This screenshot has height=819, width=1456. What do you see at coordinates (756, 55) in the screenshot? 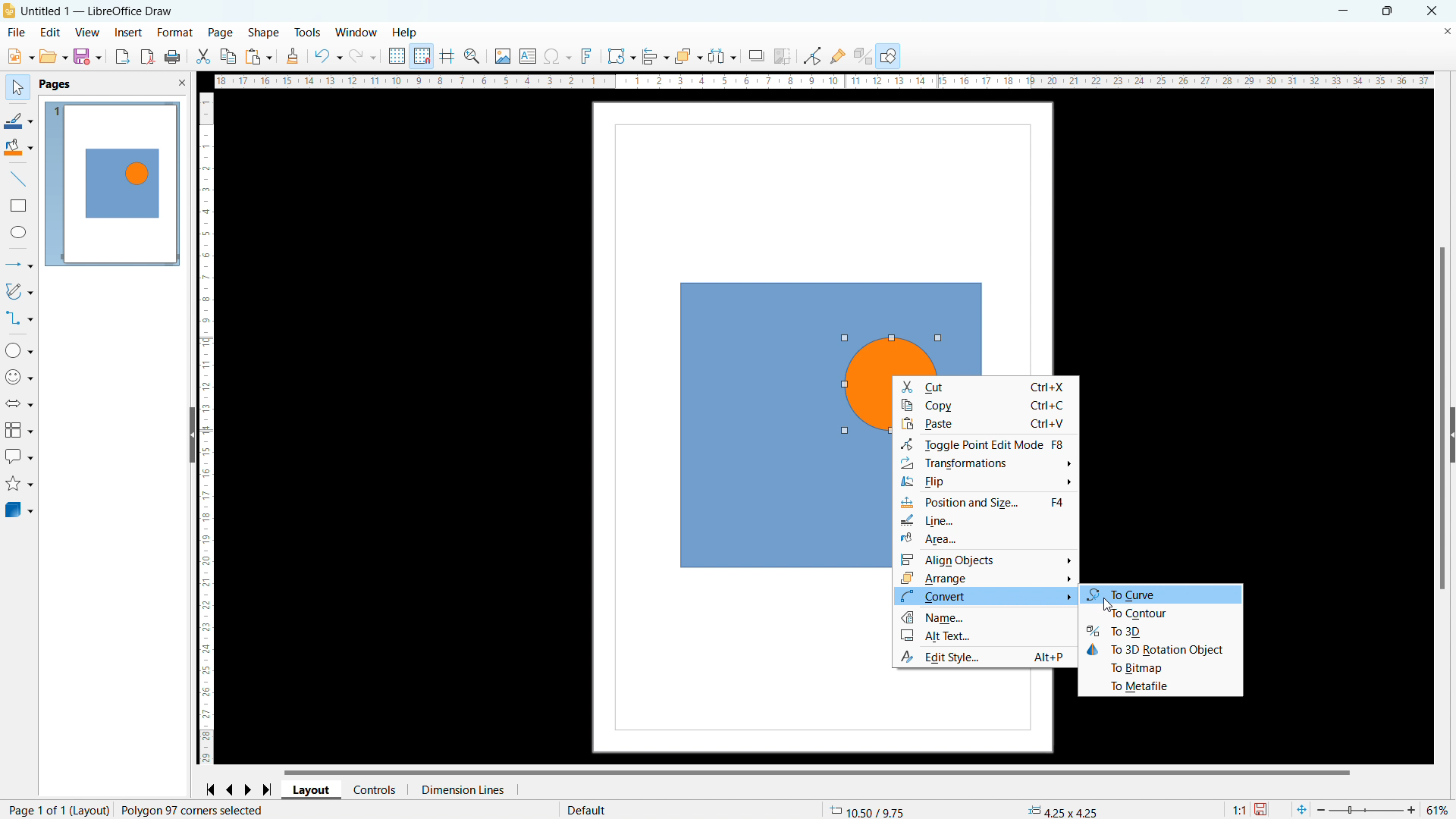
I see `shadow` at bounding box center [756, 55].